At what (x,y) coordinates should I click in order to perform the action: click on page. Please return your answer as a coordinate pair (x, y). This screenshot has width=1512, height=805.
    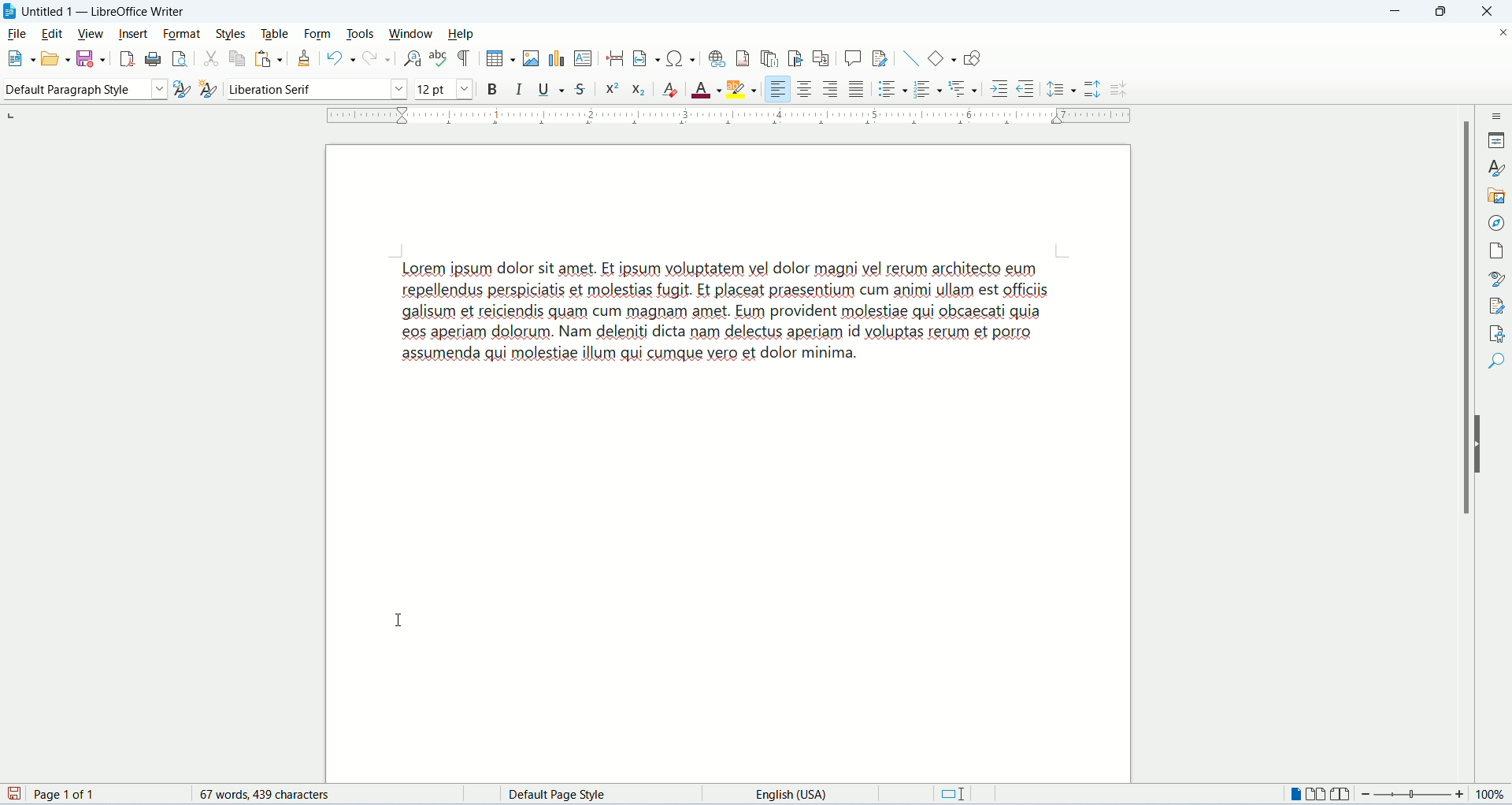
    Looking at the image, I should click on (50, 795).